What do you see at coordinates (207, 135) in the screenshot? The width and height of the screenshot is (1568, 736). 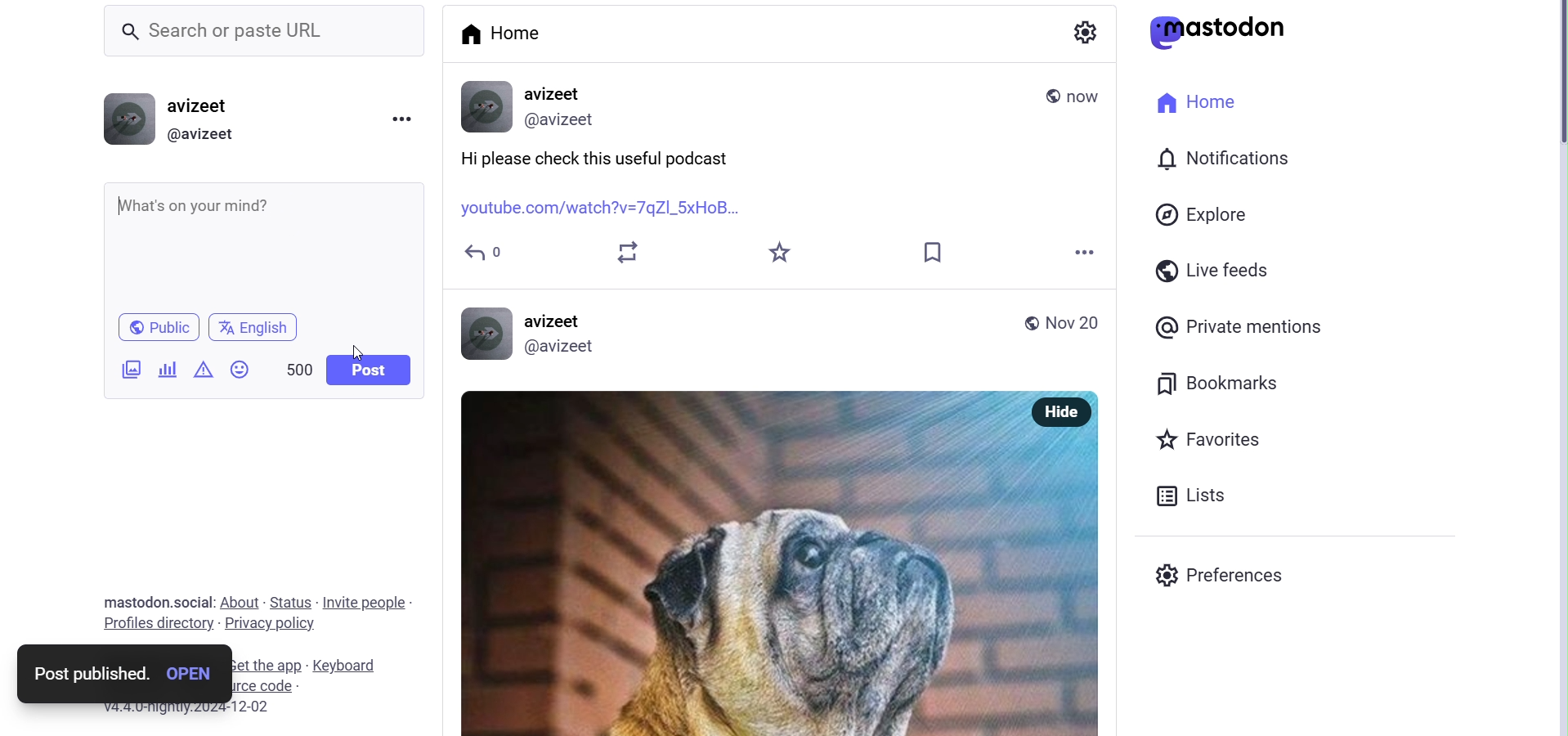 I see `@username` at bounding box center [207, 135].